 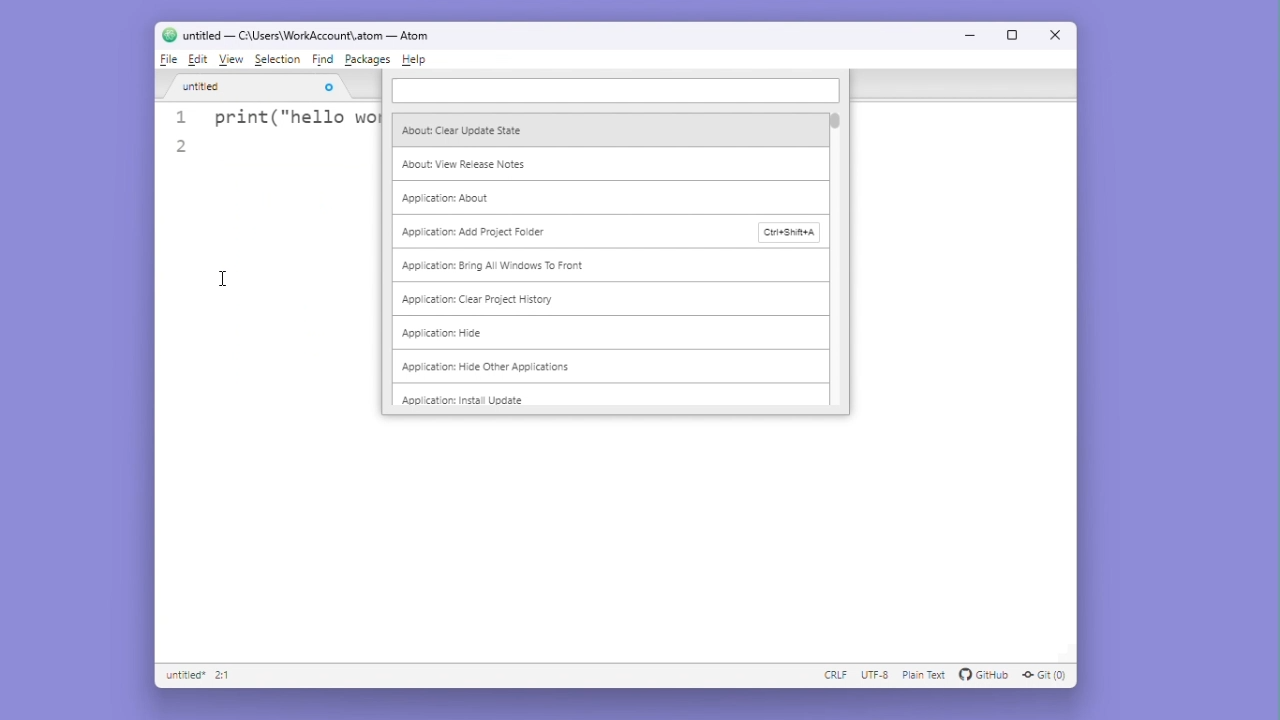 What do you see at coordinates (271, 137) in the screenshot?
I see `1 print("hello world")
2` at bounding box center [271, 137].